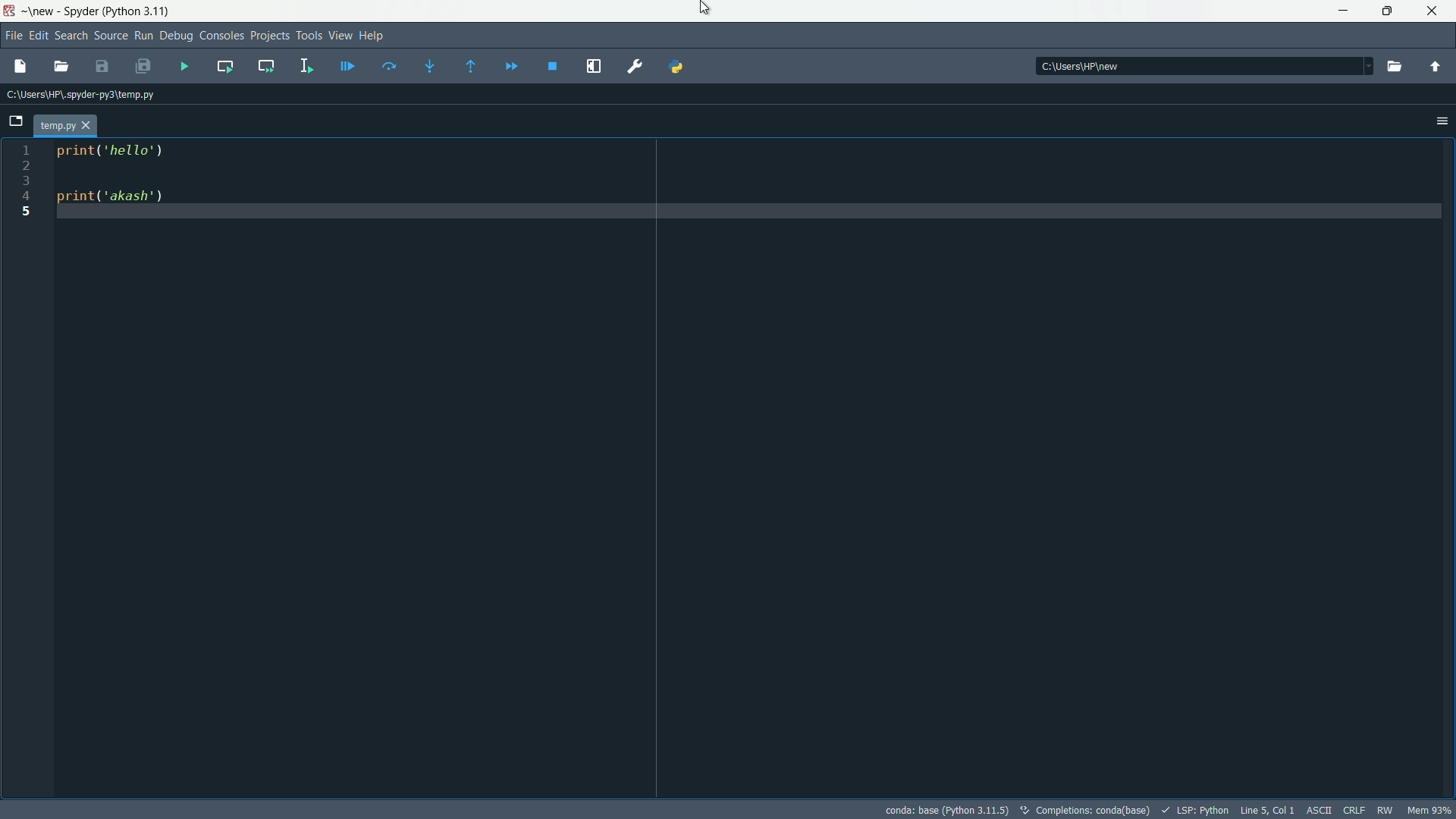  I want to click on cursor position, so click(1267, 810).